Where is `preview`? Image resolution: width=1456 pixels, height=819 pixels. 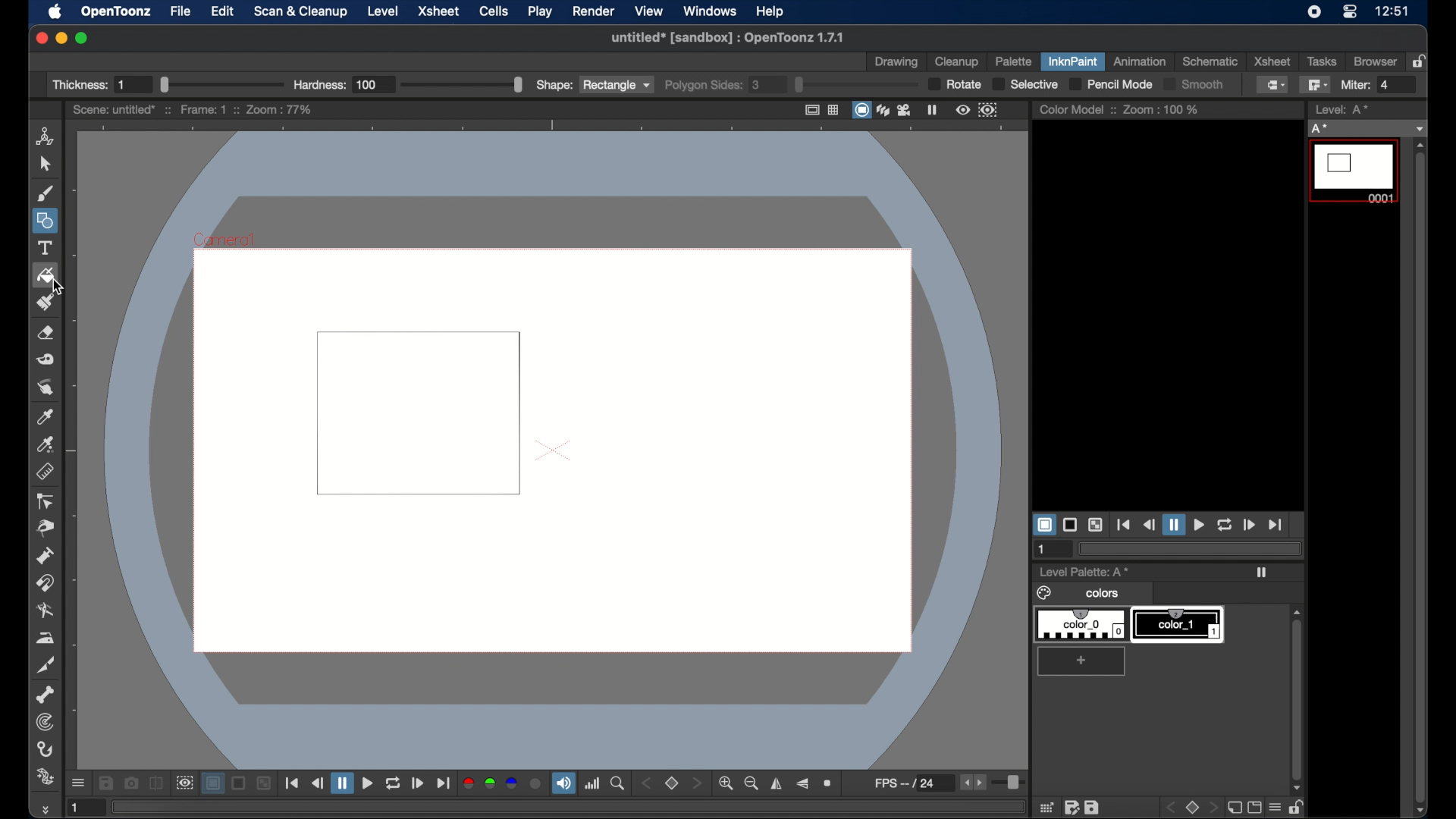 preview is located at coordinates (963, 110).